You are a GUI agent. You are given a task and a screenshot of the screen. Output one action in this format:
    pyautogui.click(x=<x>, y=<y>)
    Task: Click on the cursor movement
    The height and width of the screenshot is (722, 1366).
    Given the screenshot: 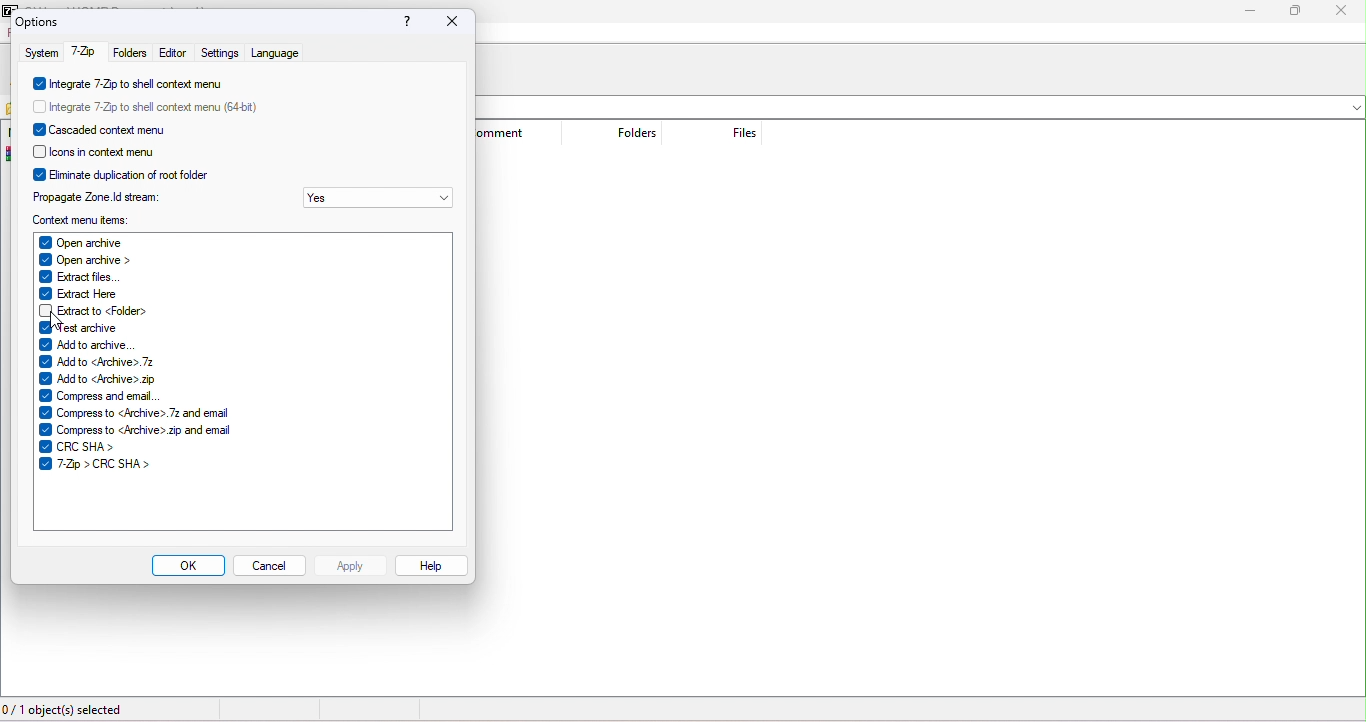 What is the action you would take?
    pyautogui.click(x=57, y=320)
    